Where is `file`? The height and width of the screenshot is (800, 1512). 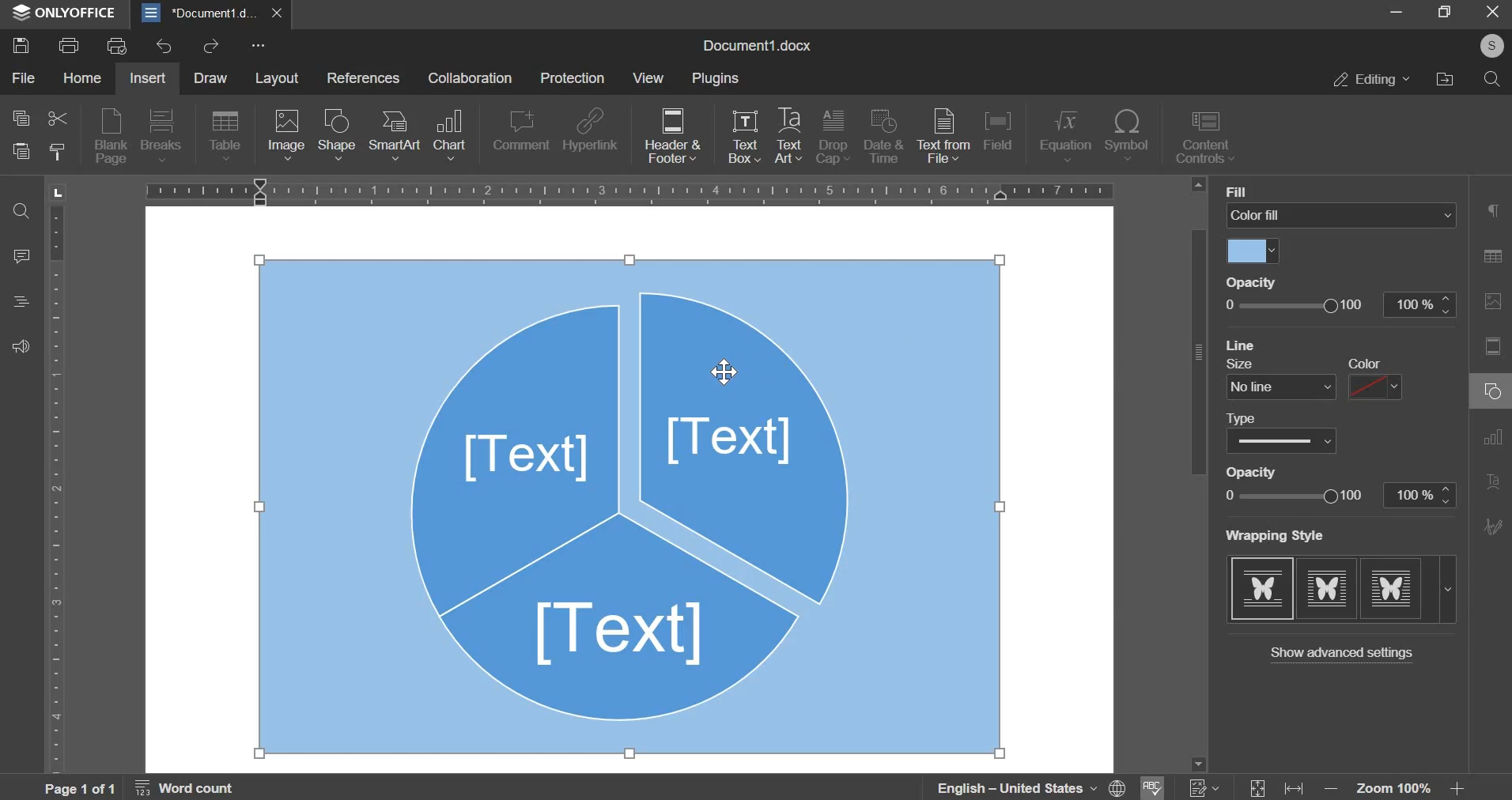
file is located at coordinates (26, 77).